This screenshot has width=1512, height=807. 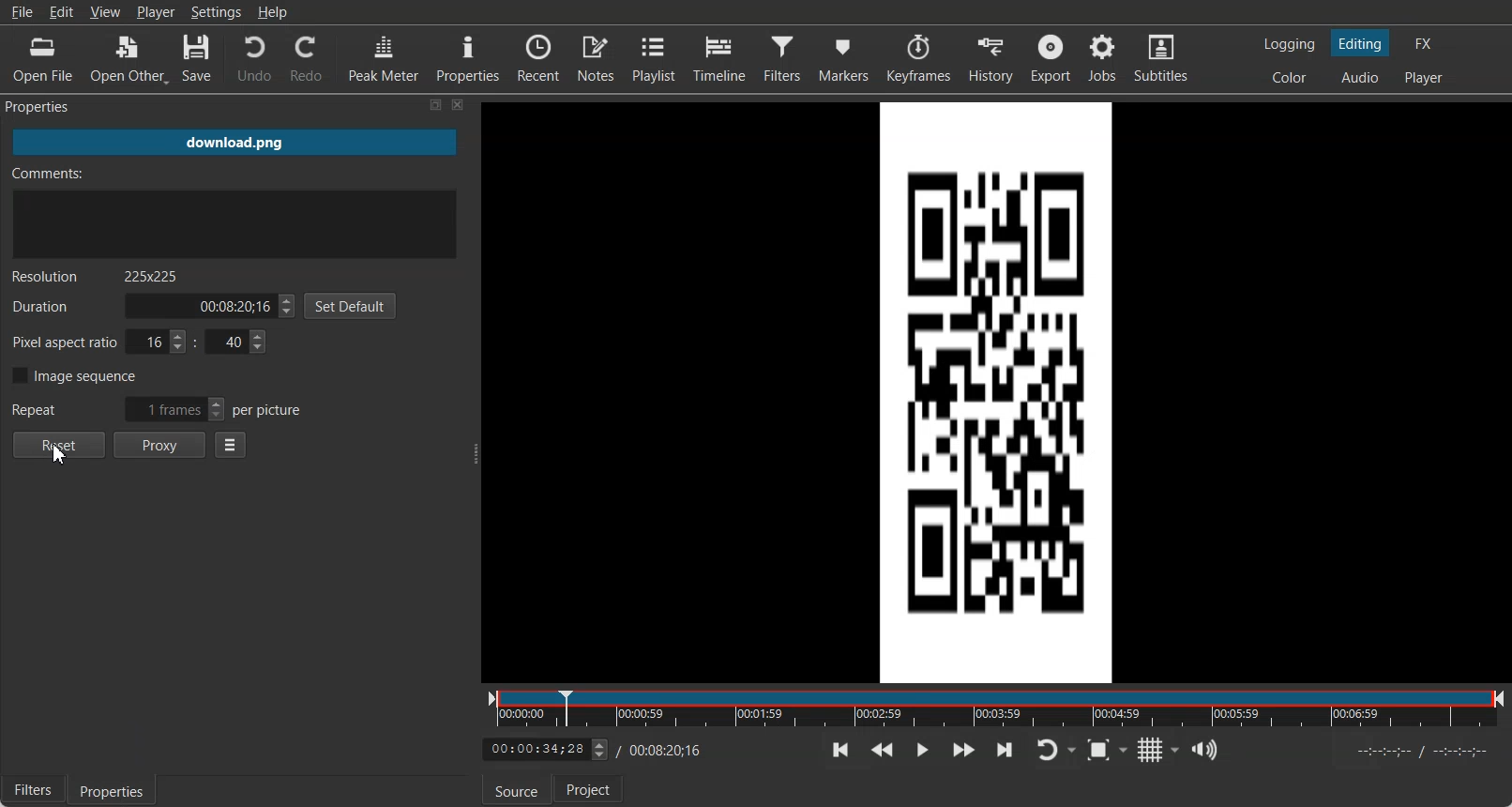 What do you see at coordinates (236, 212) in the screenshot?
I see `Enter Comment` at bounding box center [236, 212].